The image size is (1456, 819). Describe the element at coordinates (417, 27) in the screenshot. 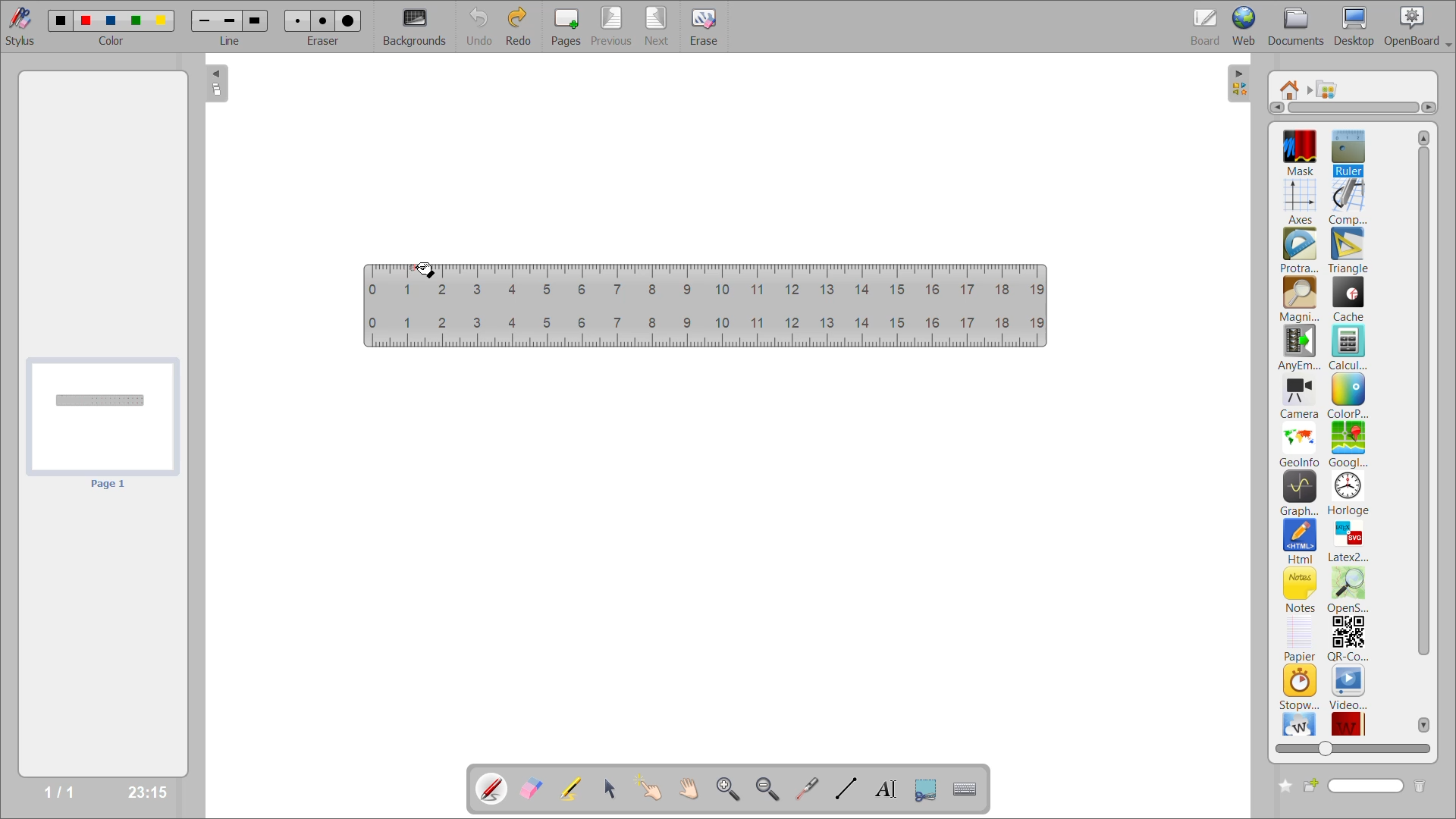

I see `backgrounds` at that location.